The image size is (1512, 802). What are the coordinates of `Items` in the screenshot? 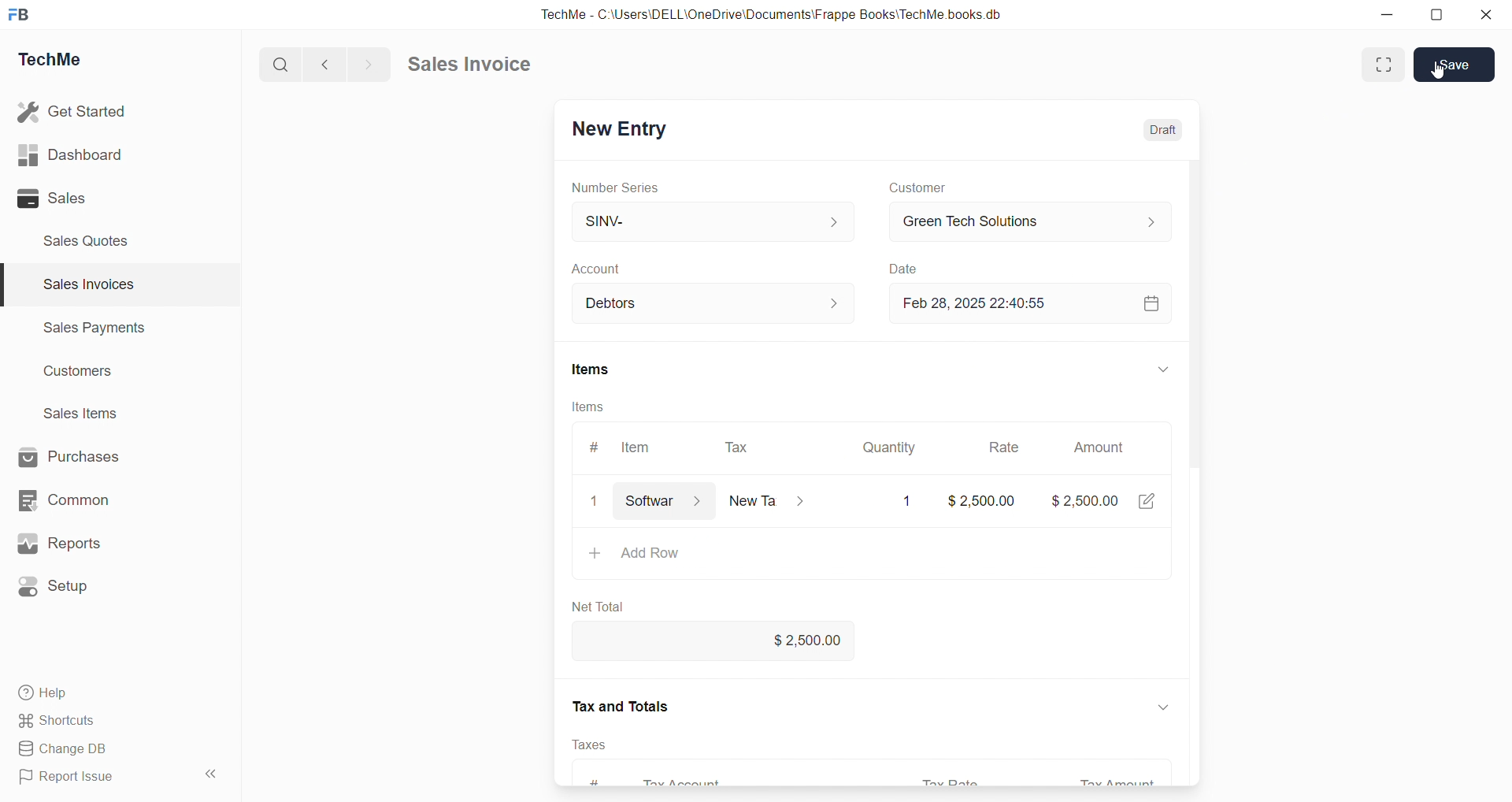 It's located at (592, 369).